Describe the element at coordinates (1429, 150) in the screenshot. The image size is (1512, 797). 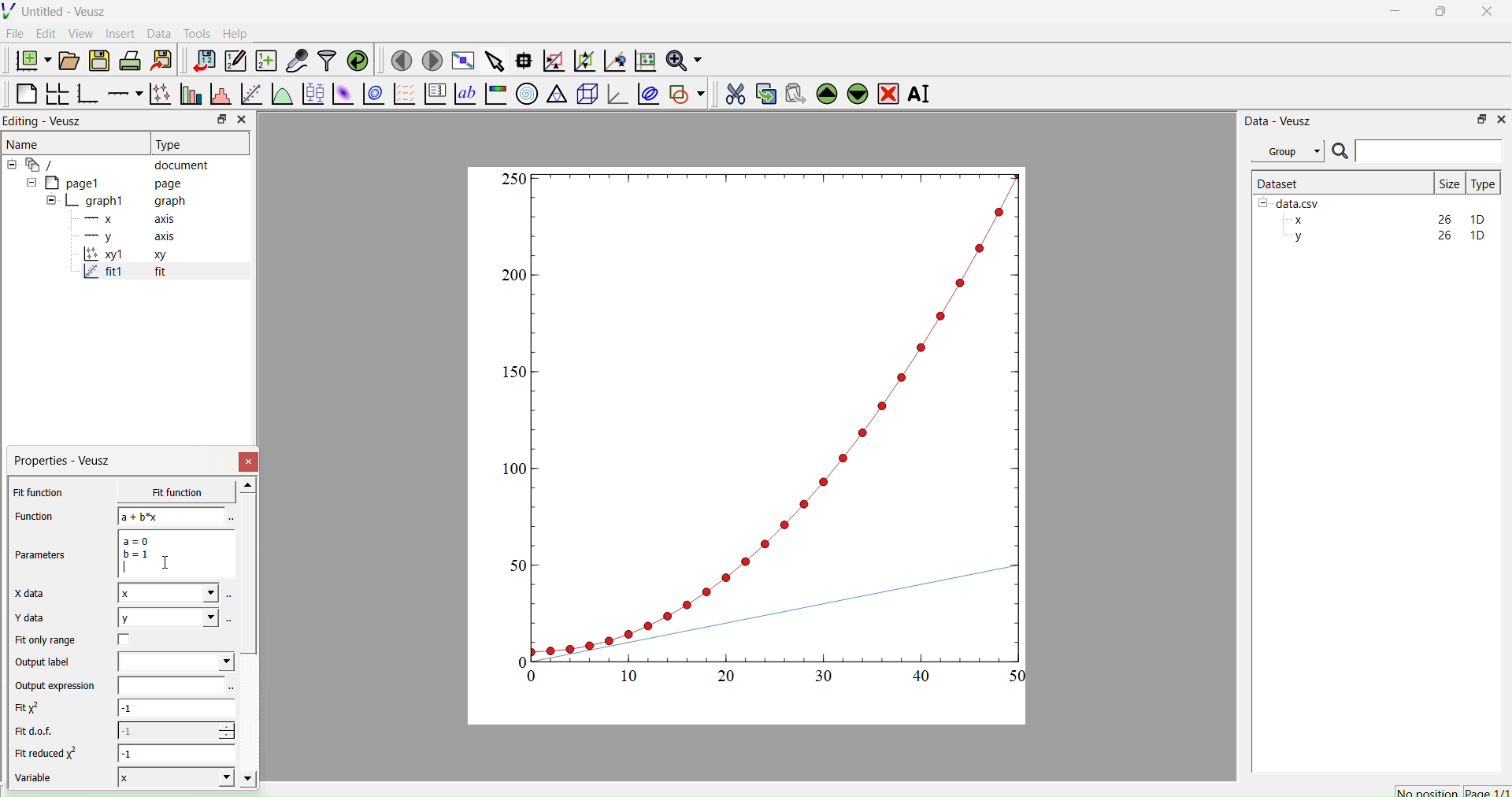
I see `Input` at that location.